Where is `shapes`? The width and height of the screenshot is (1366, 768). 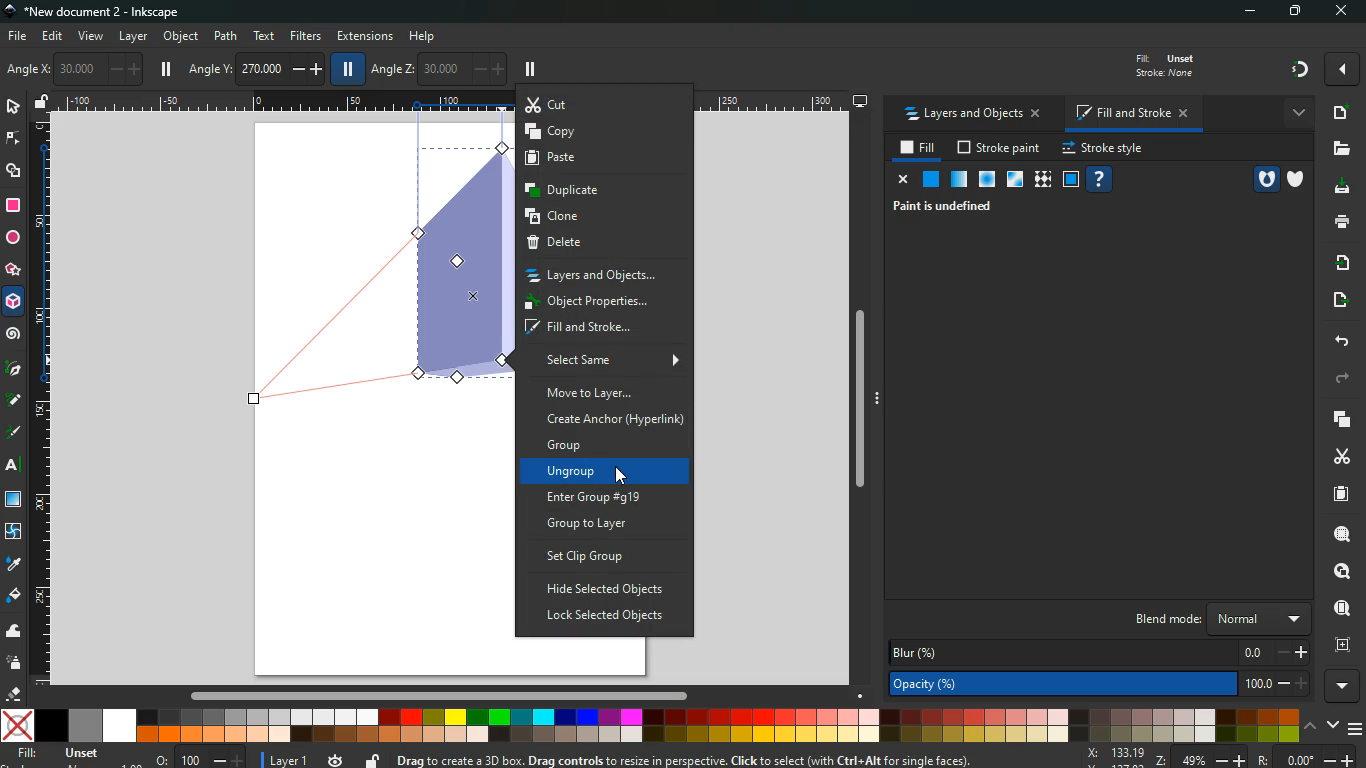 shapes is located at coordinates (14, 171).